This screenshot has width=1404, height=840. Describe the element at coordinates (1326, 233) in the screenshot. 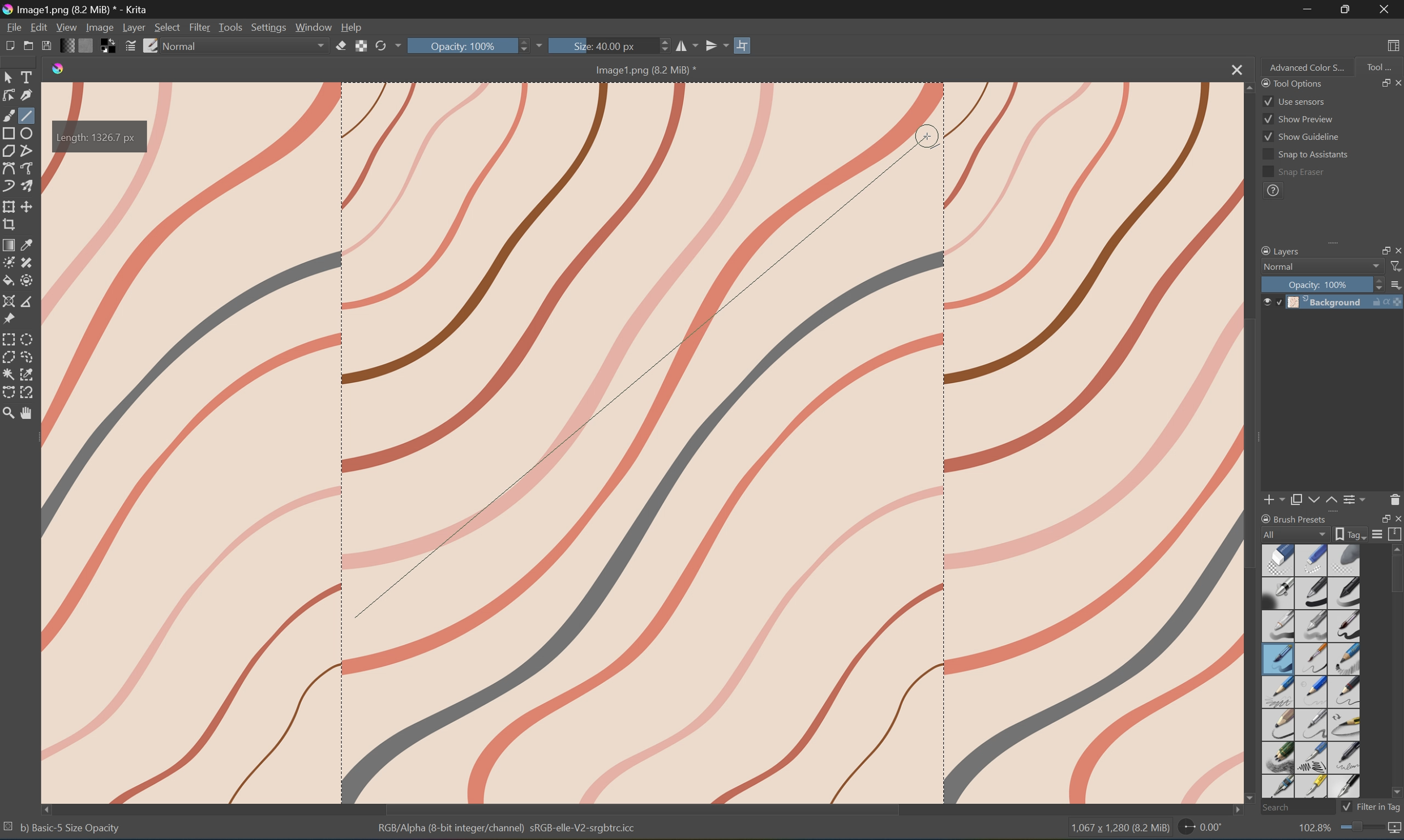

I see `Scroll Bar` at that location.